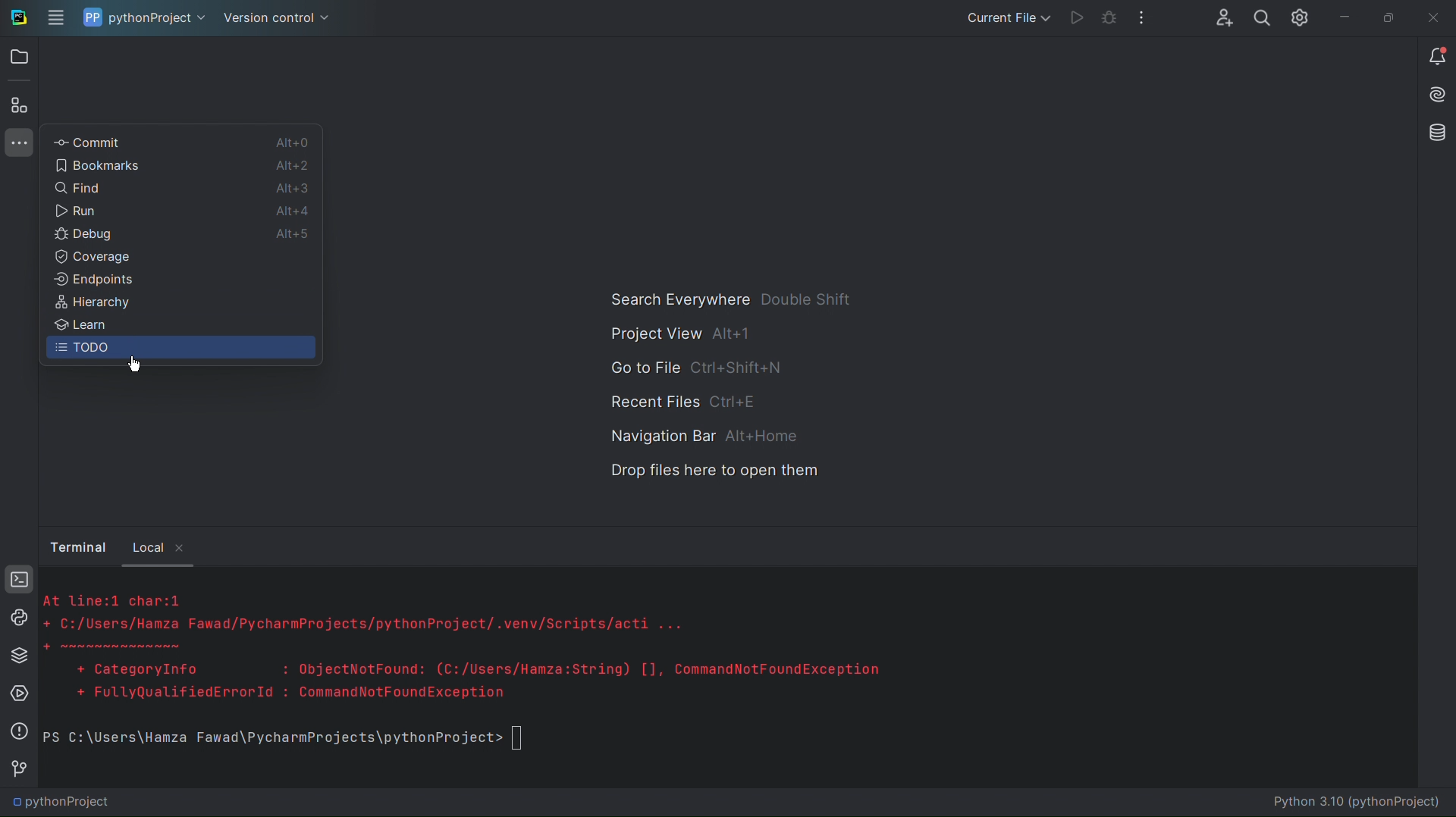 Image resolution: width=1456 pixels, height=817 pixels. What do you see at coordinates (1338, 17) in the screenshot?
I see `Minimize` at bounding box center [1338, 17].